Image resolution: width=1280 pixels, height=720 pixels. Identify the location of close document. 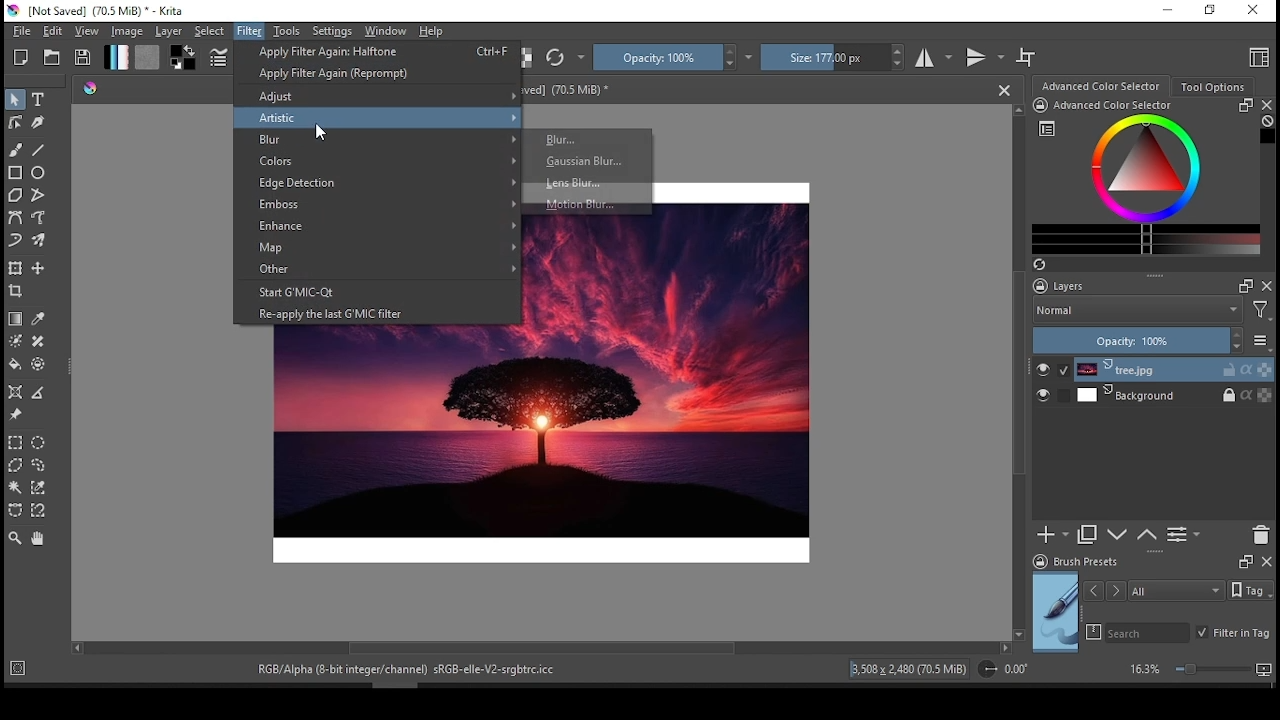
(1005, 89).